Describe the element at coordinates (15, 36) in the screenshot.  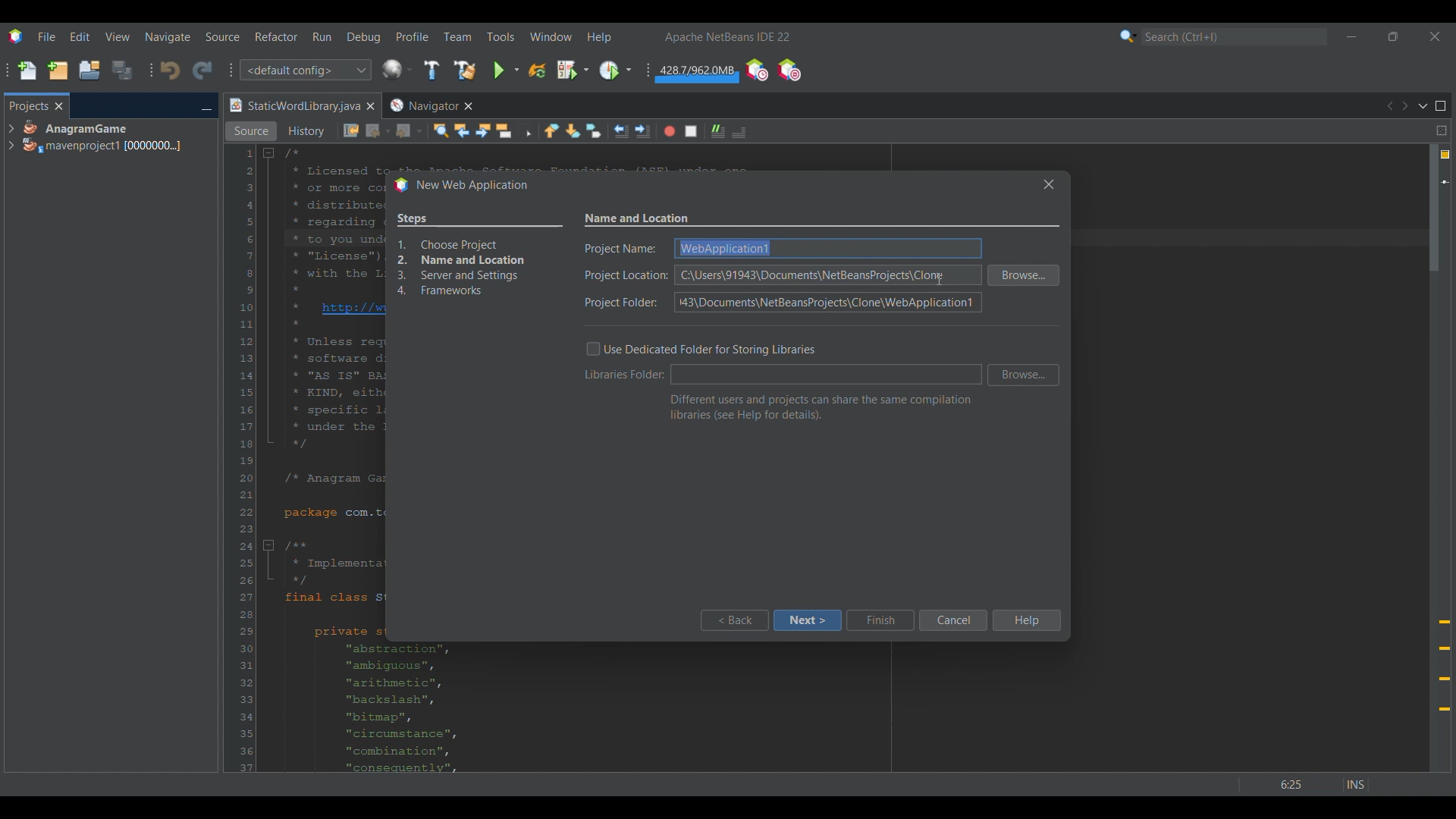
I see `Software logo` at that location.